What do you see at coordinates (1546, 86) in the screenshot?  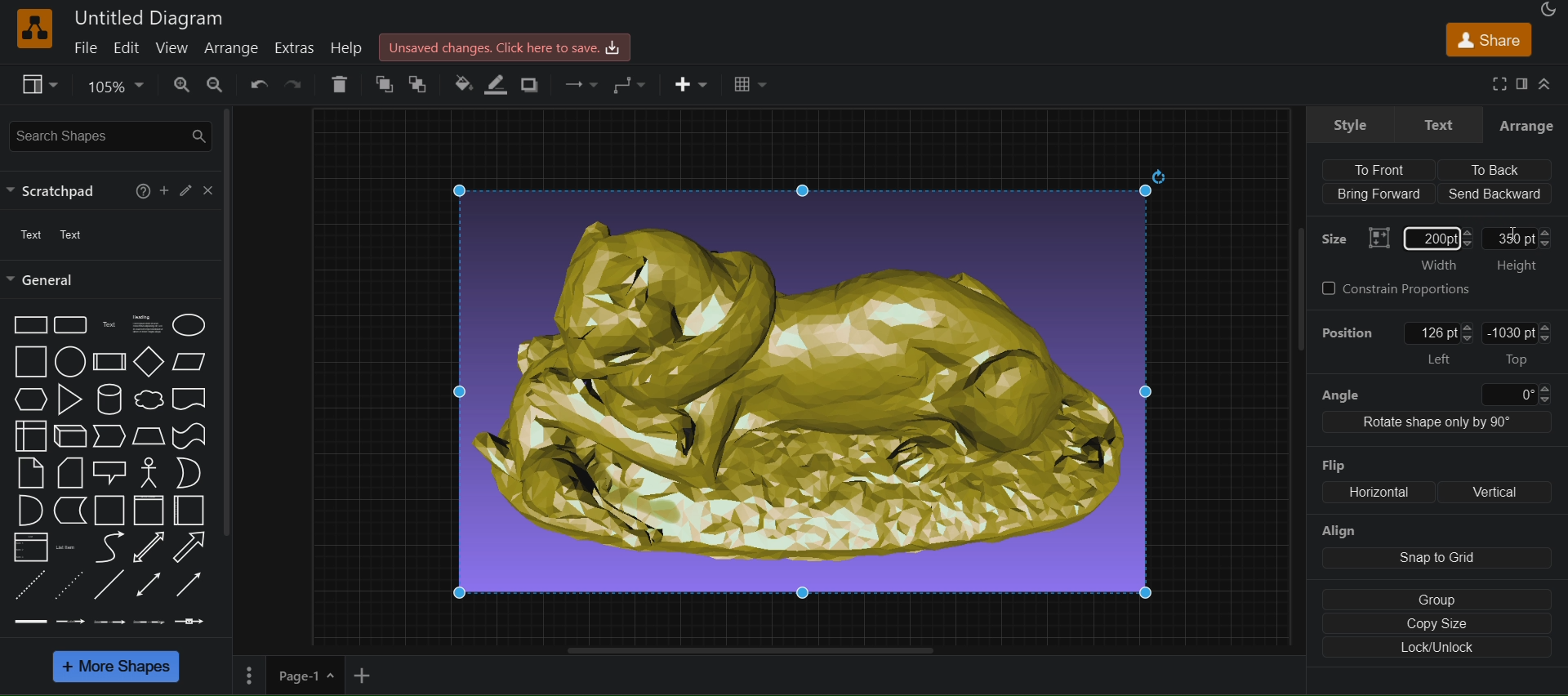 I see `Collapse/ Expand` at bounding box center [1546, 86].